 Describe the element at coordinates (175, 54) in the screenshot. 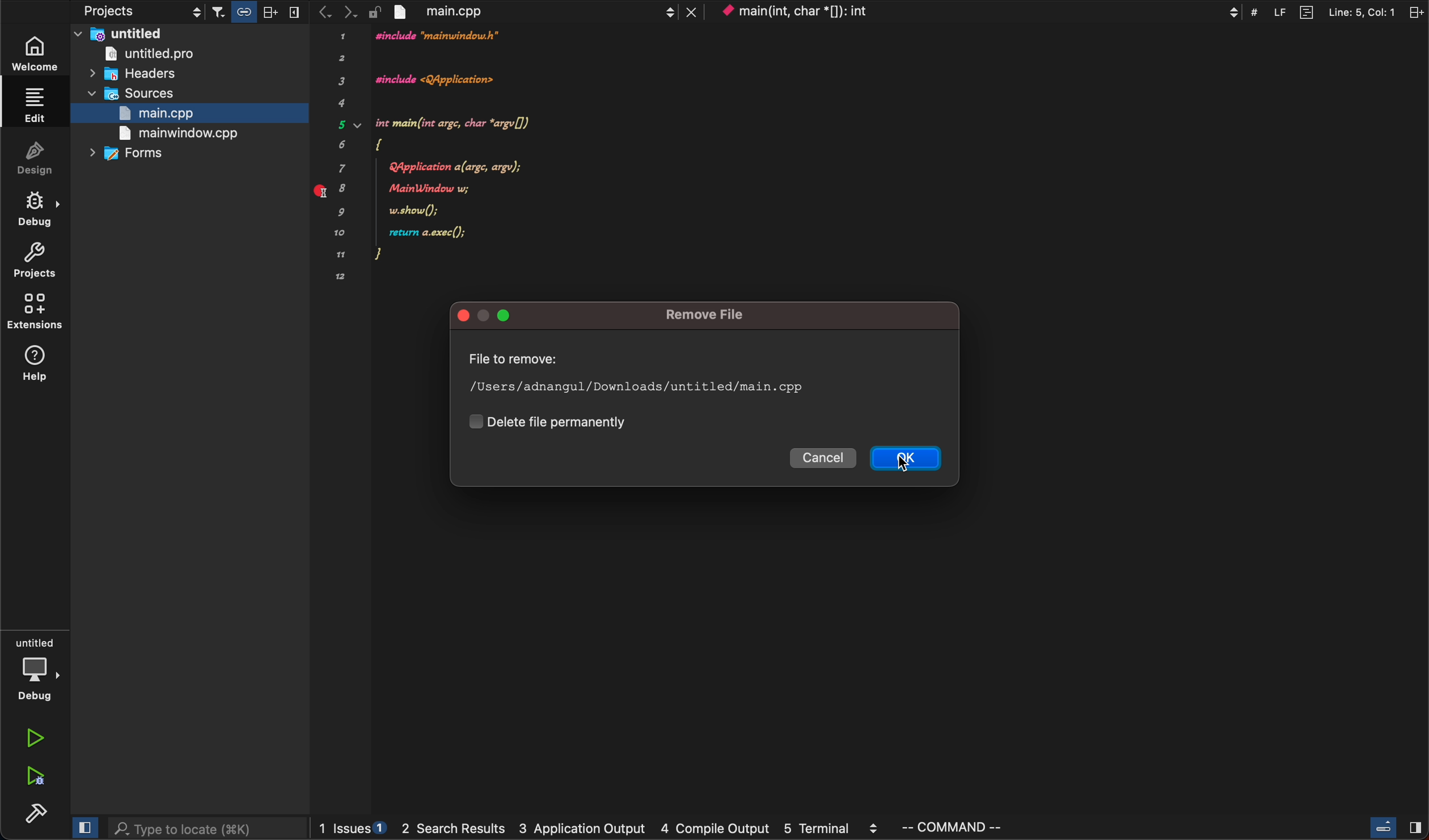

I see `untitled pro` at that location.